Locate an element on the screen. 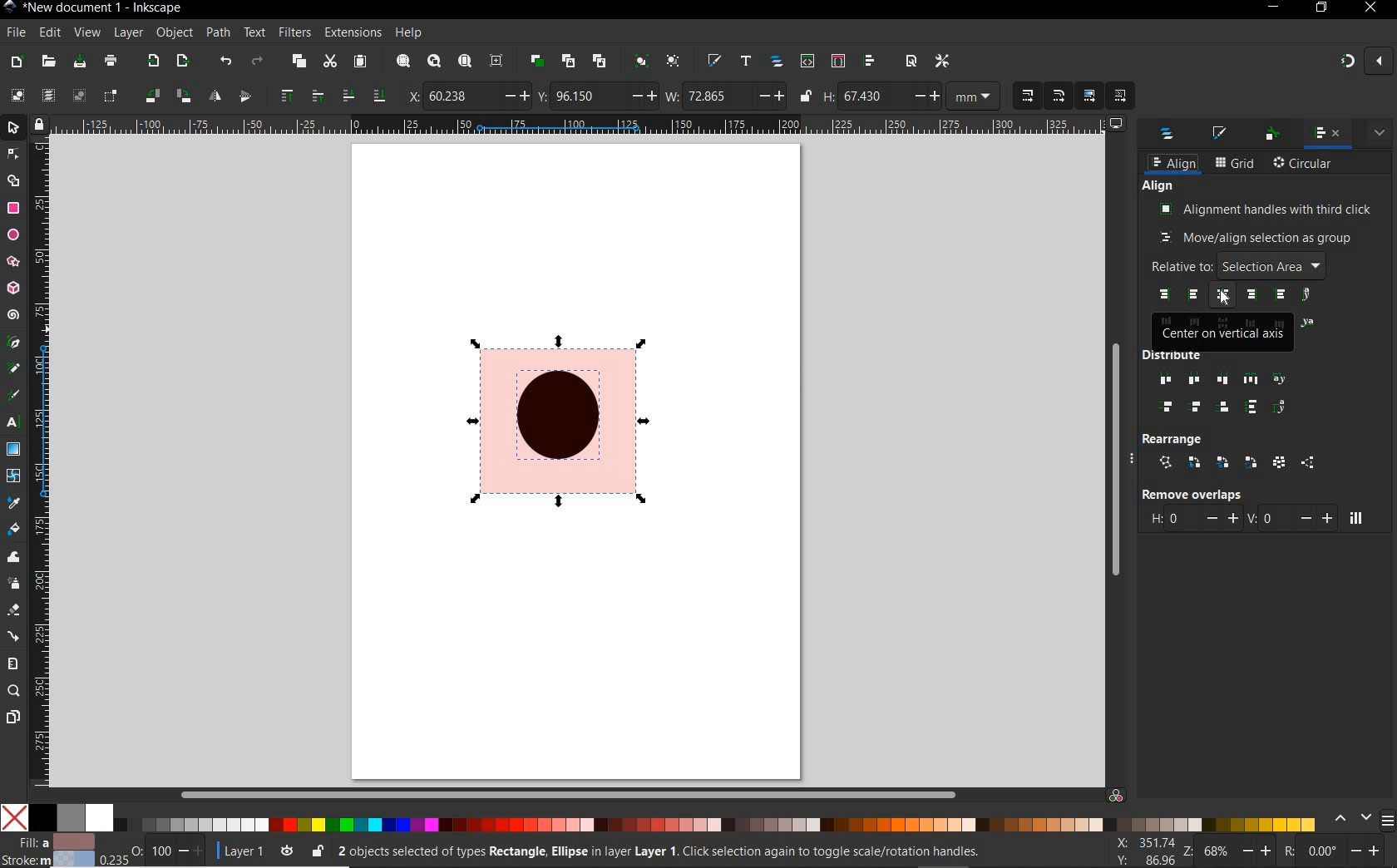 The width and height of the screenshot is (1397, 868). object flip 90 clockwise is located at coordinates (165, 95).